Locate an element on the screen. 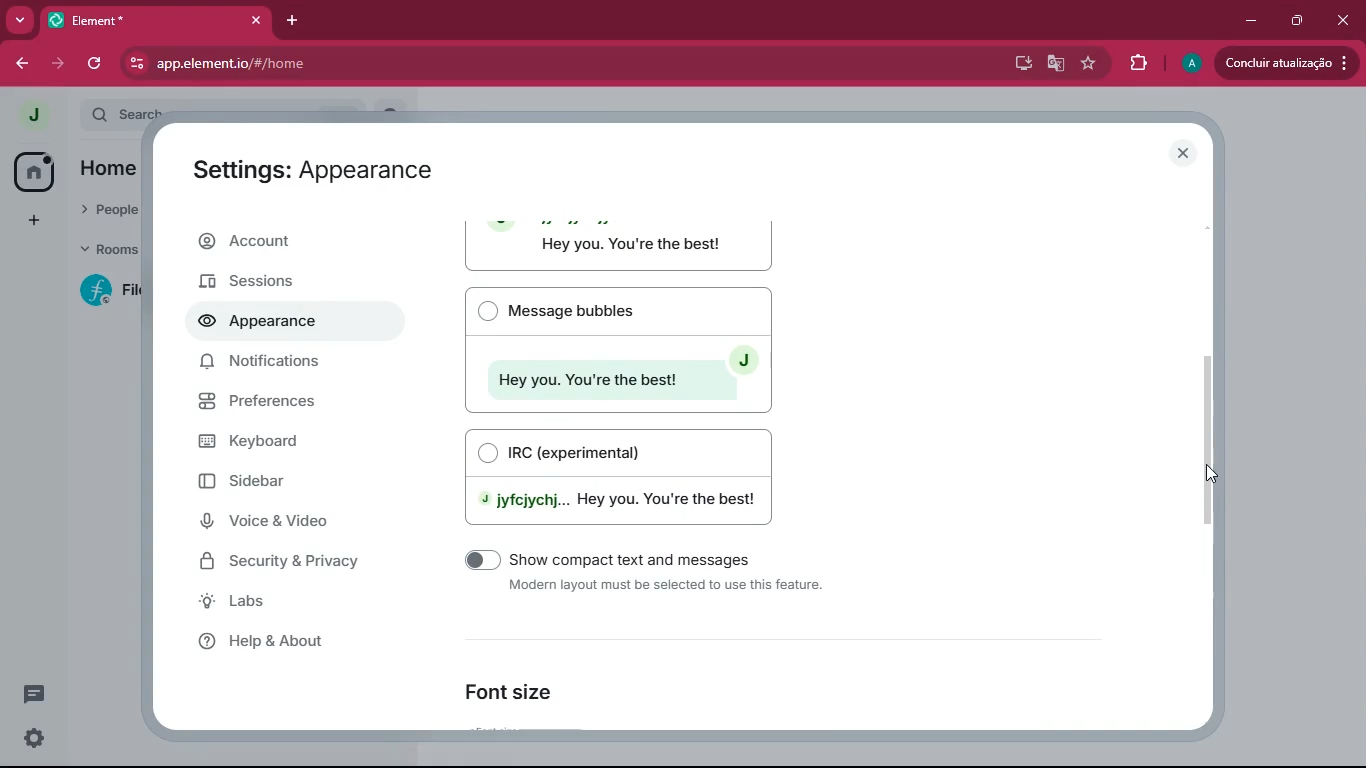 The width and height of the screenshot is (1366, 768). Cursor is located at coordinates (1212, 472).